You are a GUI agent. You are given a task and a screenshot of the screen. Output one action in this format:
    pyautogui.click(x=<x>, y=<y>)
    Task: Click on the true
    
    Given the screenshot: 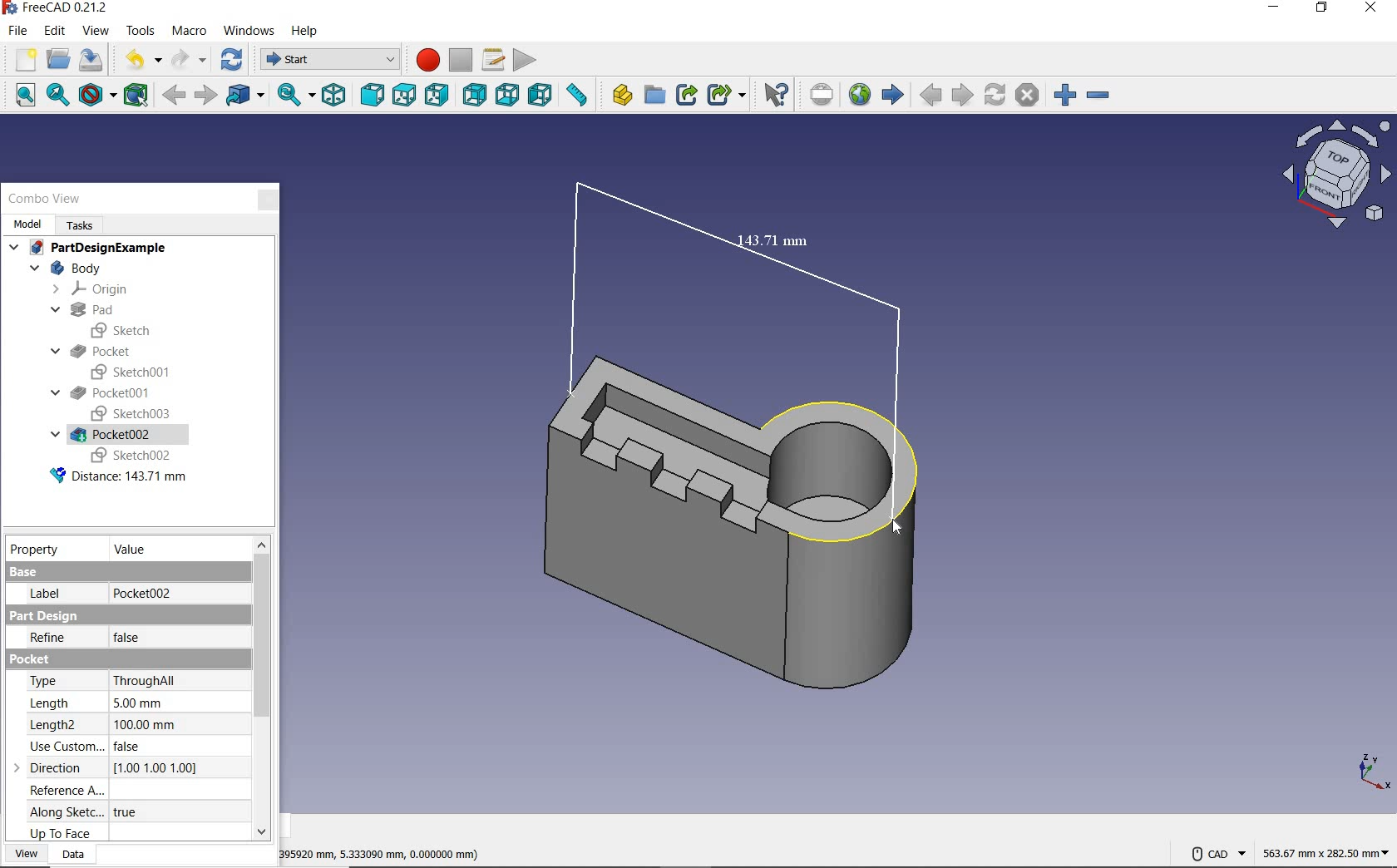 What is the action you would take?
    pyautogui.click(x=126, y=813)
    